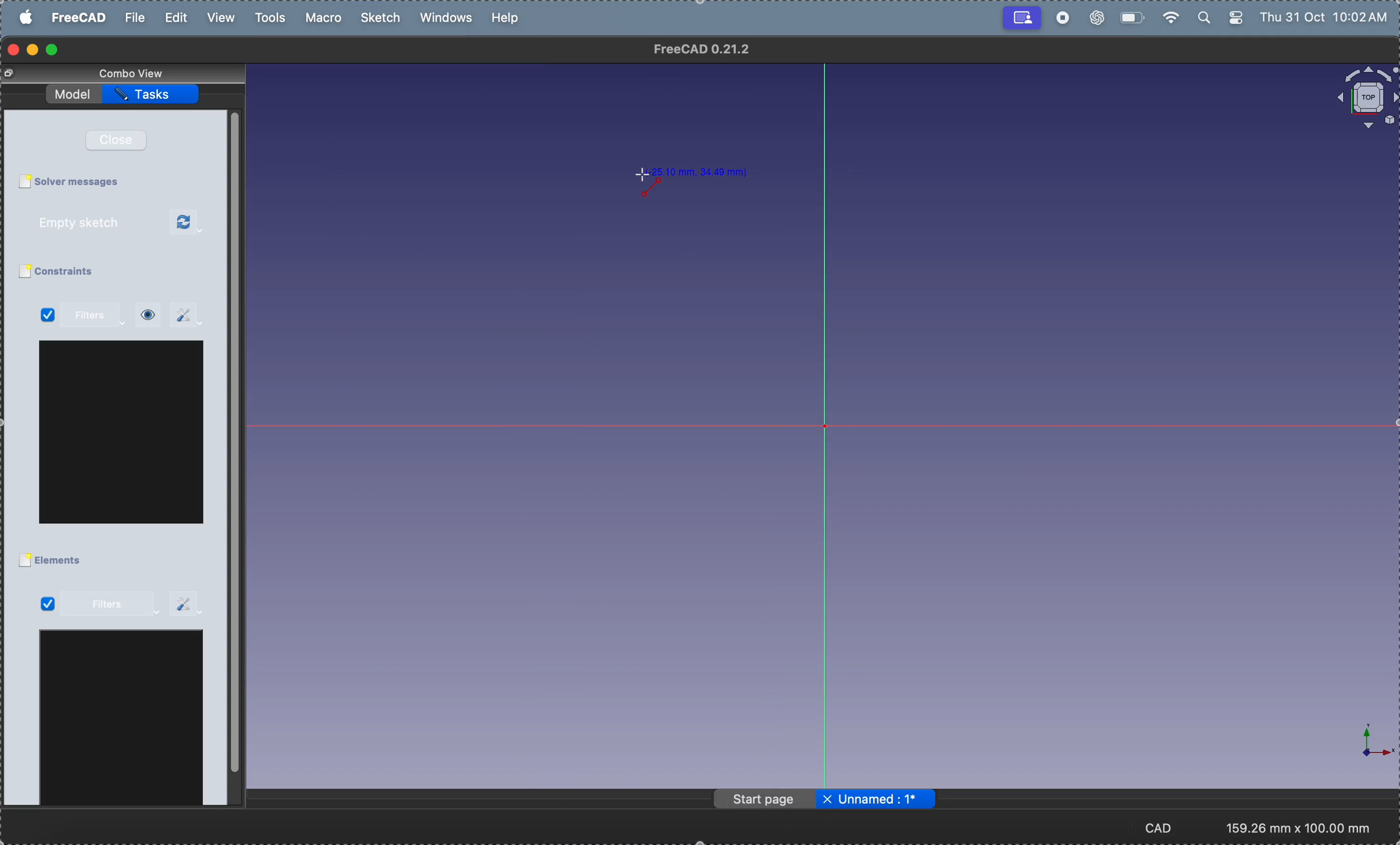 The image size is (1400, 845). What do you see at coordinates (14, 50) in the screenshot?
I see `closing window` at bounding box center [14, 50].